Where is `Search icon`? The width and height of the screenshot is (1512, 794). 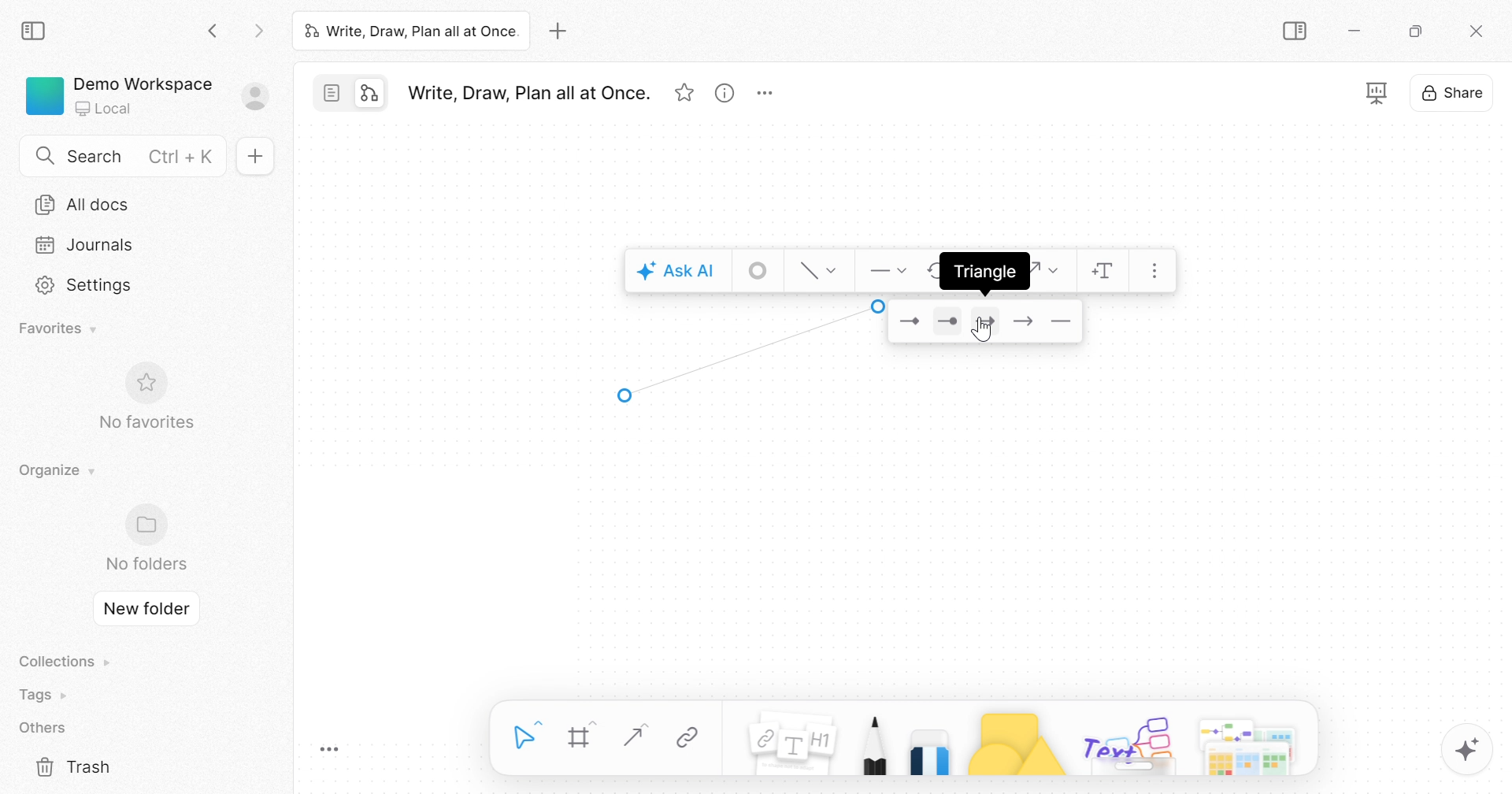 Search icon is located at coordinates (45, 157).